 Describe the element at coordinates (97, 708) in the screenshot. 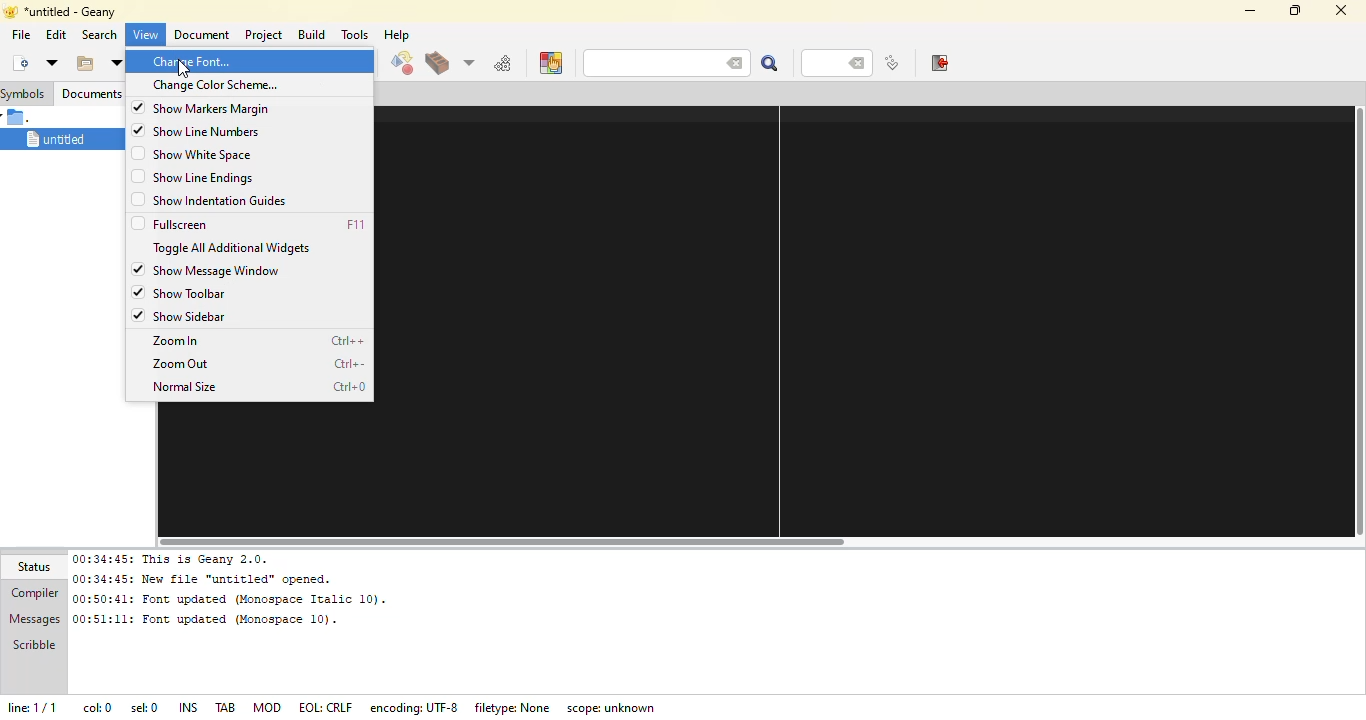

I see `col: 0` at that location.